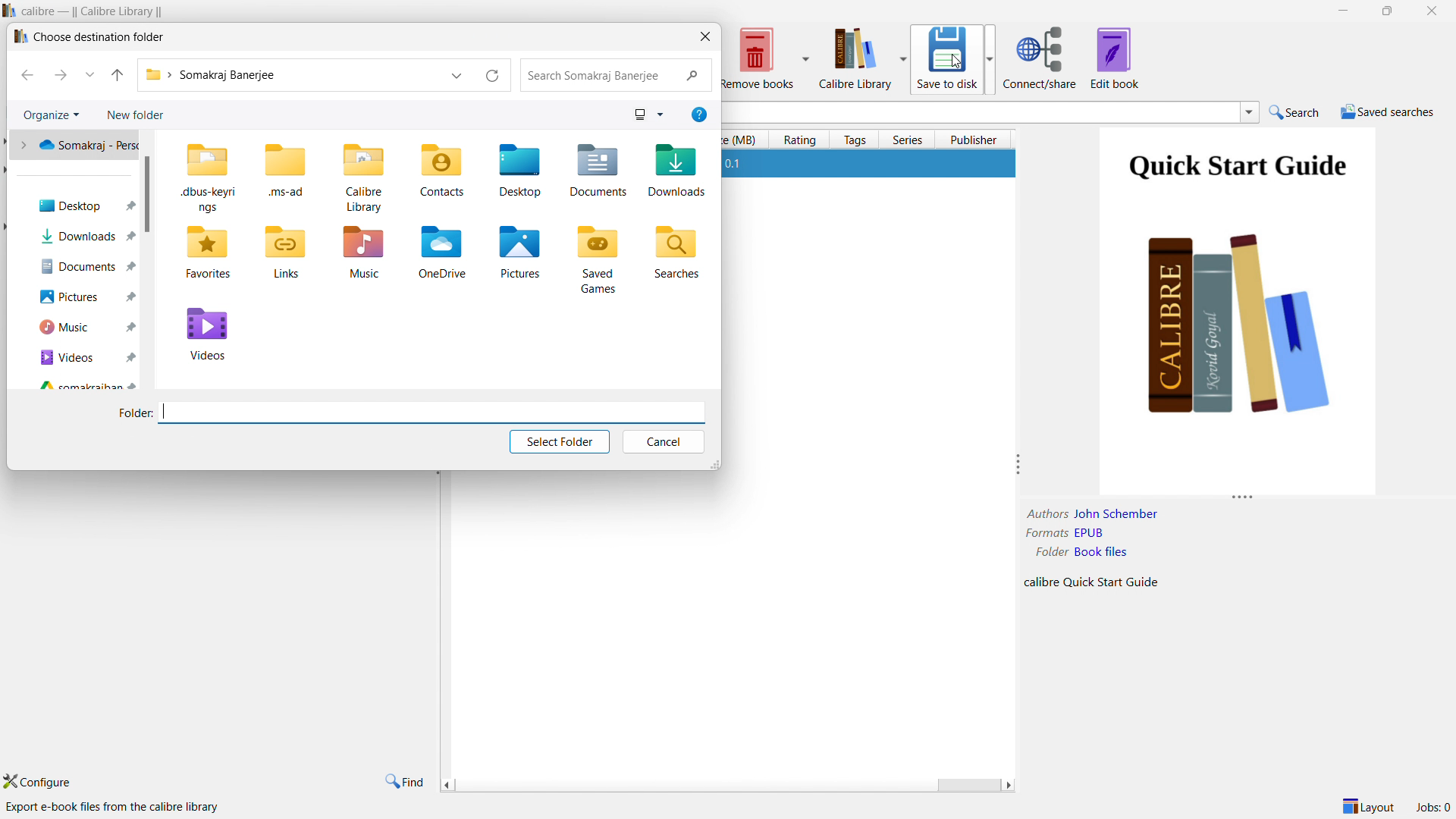  What do you see at coordinates (1238, 166) in the screenshot?
I see `Quick Start Guide` at bounding box center [1238, 166].